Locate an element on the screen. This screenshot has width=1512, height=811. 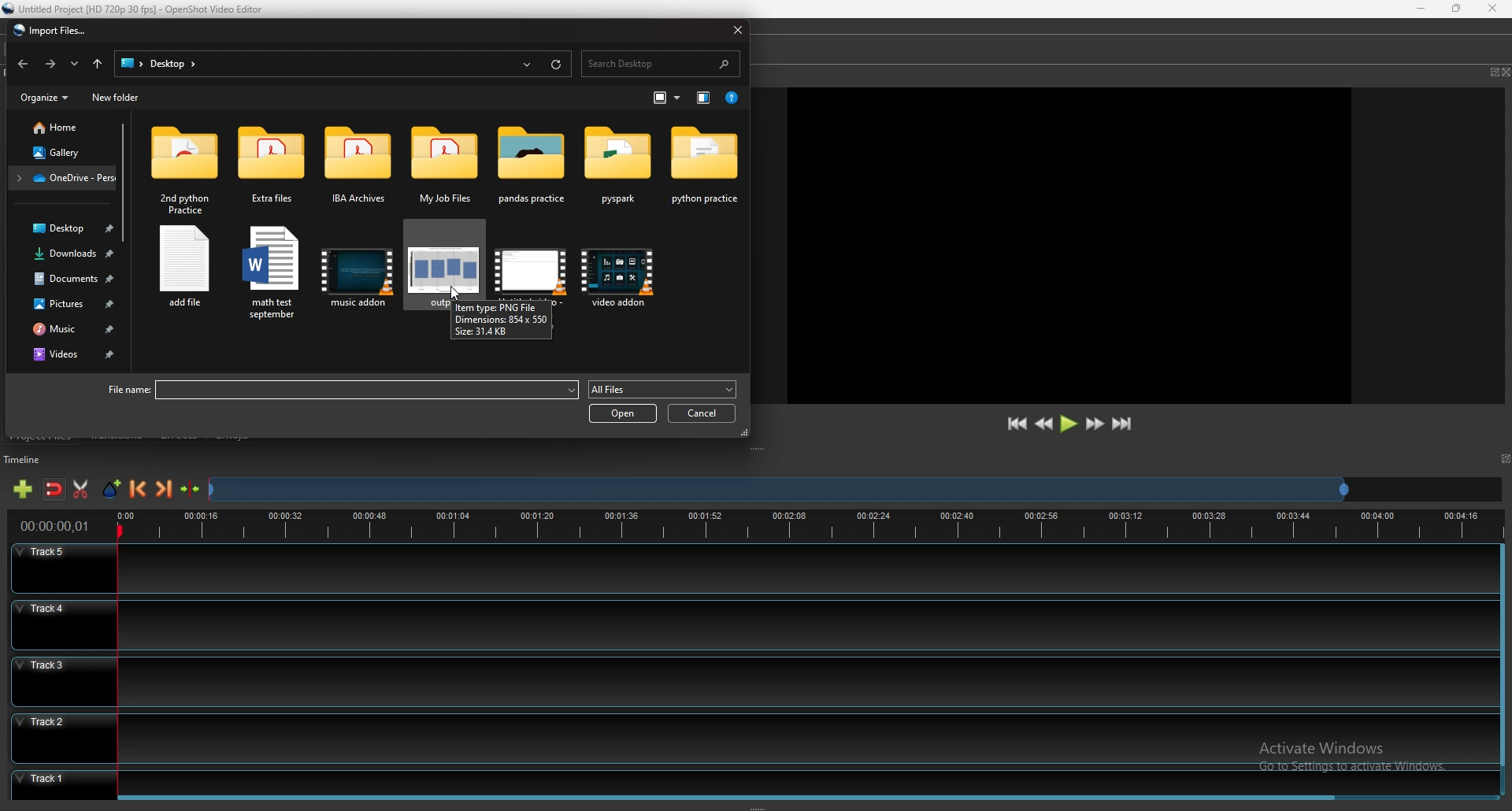
add marker is located at coordinates (113, 489).